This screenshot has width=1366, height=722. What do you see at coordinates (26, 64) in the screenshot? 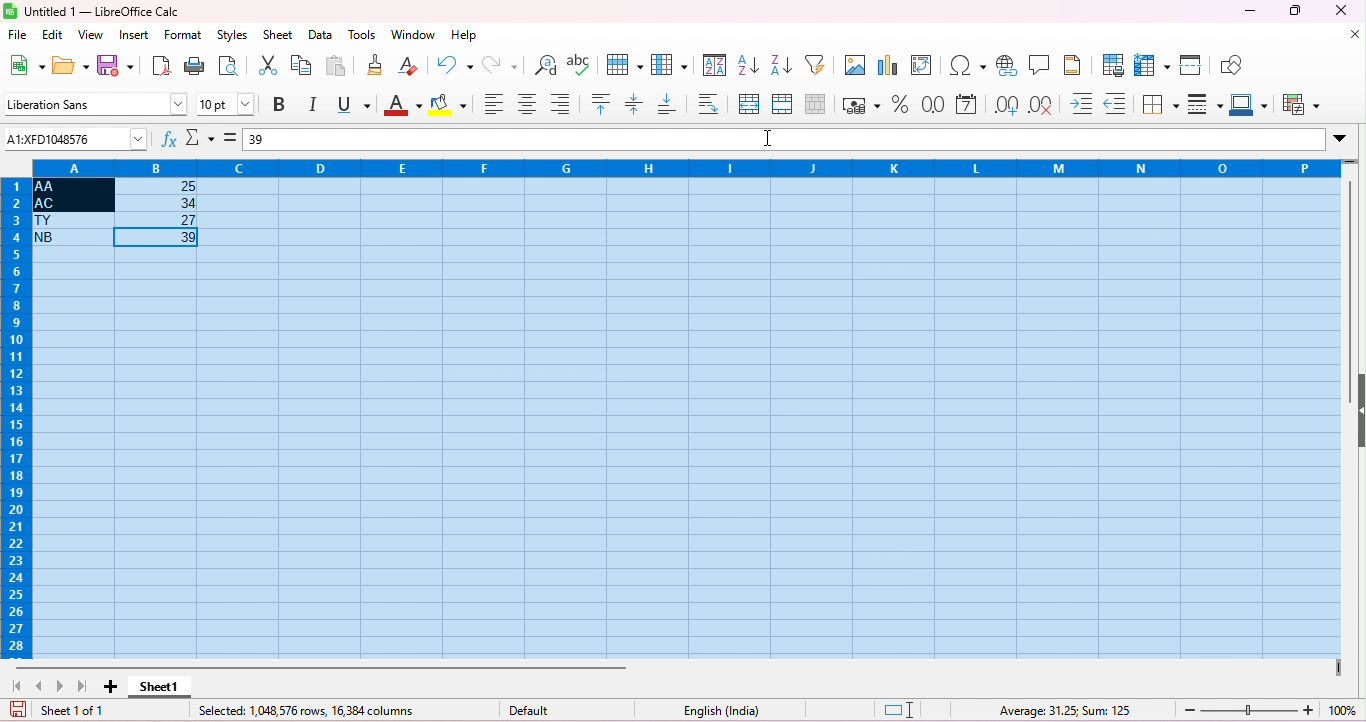
I see `new` at bounding box center [26, 64].